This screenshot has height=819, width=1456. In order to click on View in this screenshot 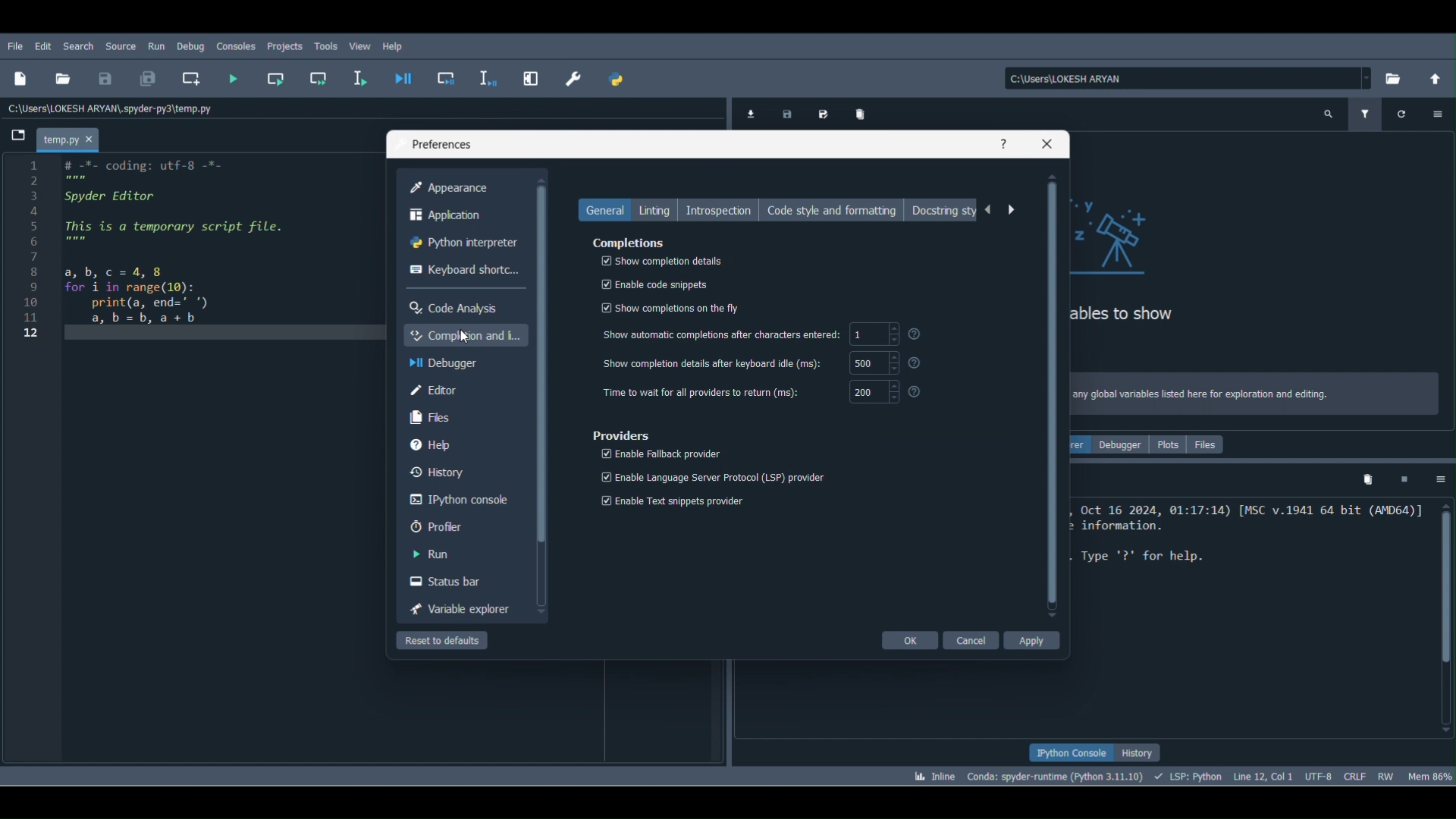, I will do `click(359, 45)`.